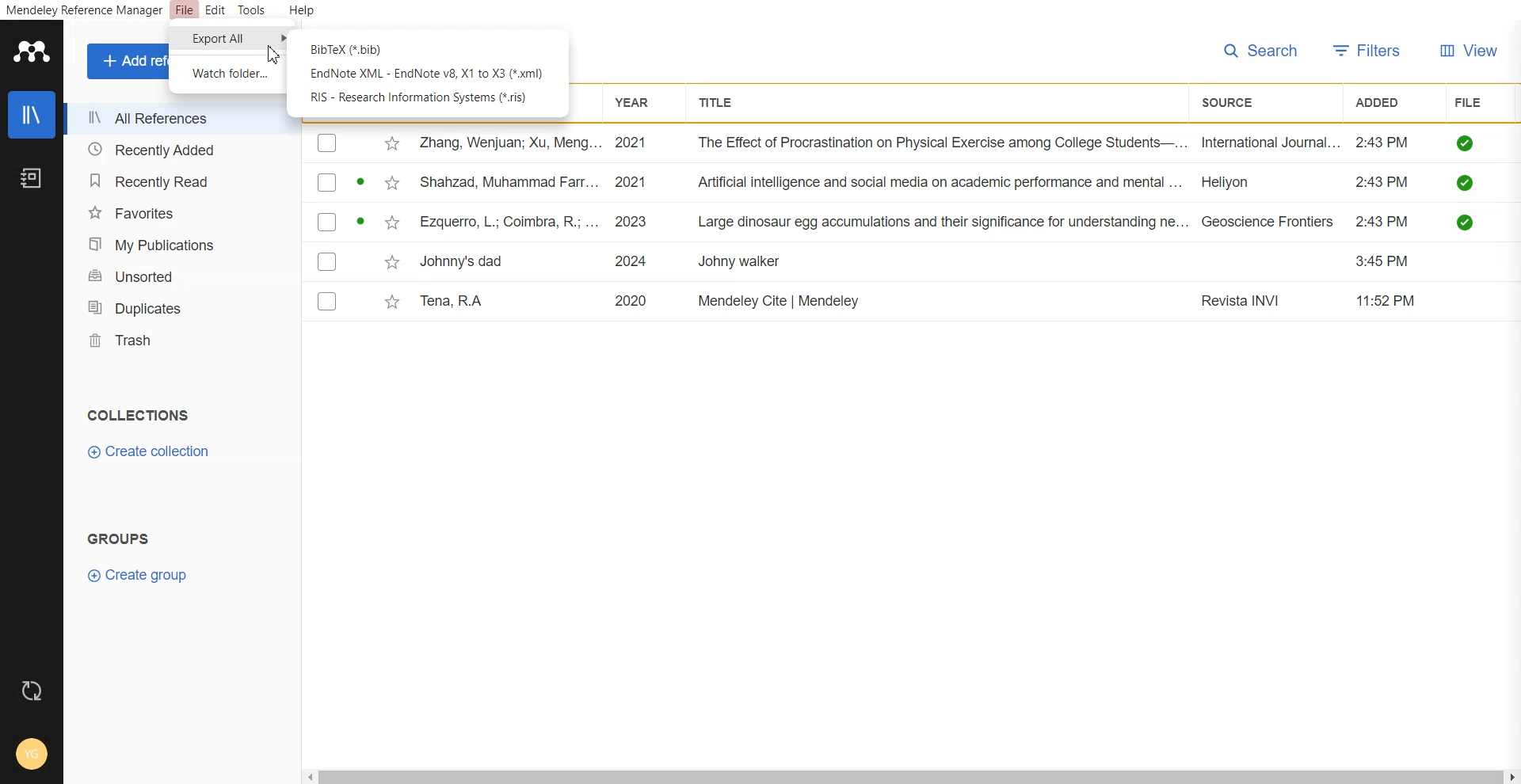 The image size is (1521, 784). I want to click on Search, so click(1261, 51).